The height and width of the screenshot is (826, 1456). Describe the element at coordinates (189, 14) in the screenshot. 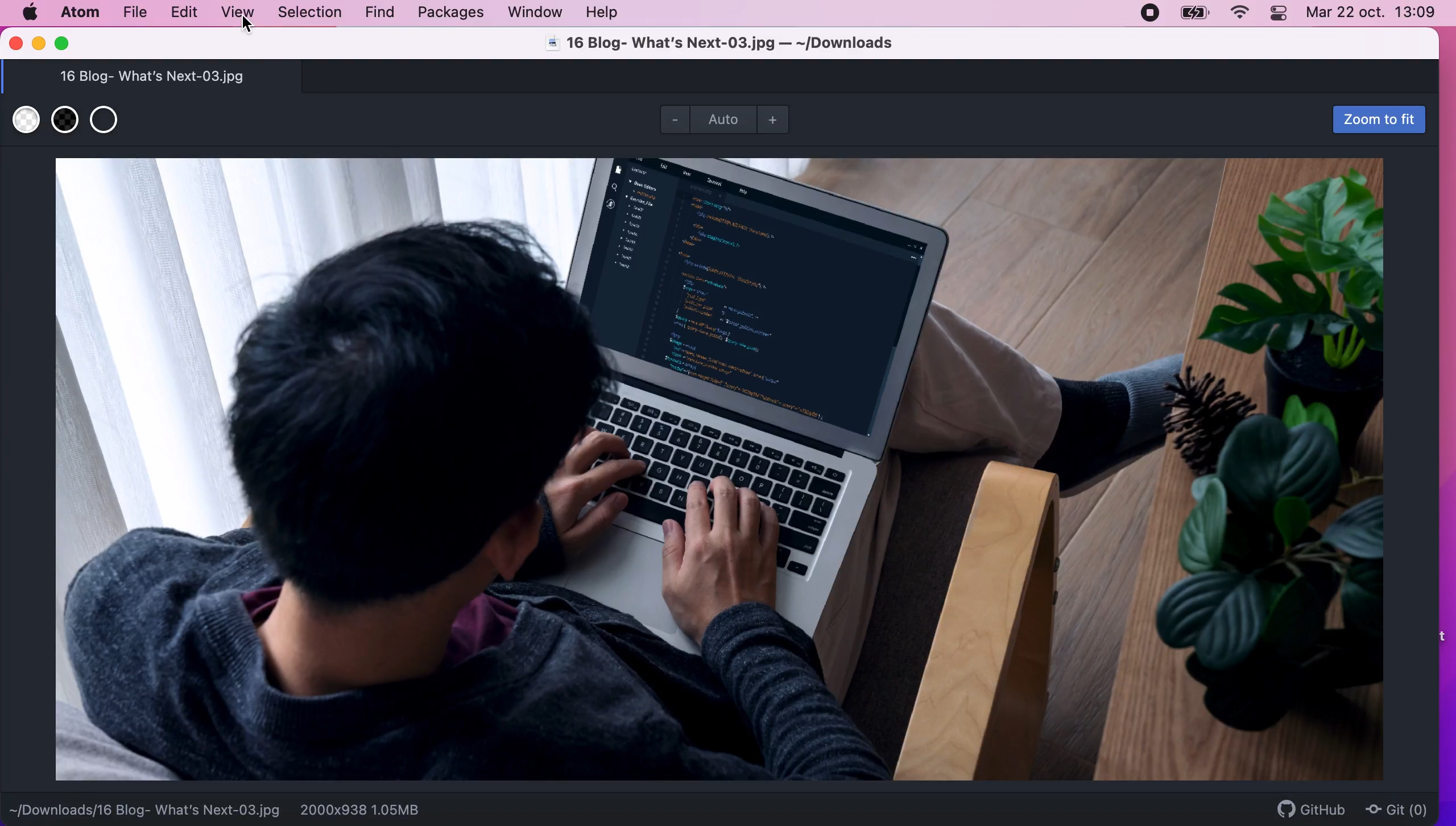

I see `edit` at that location.